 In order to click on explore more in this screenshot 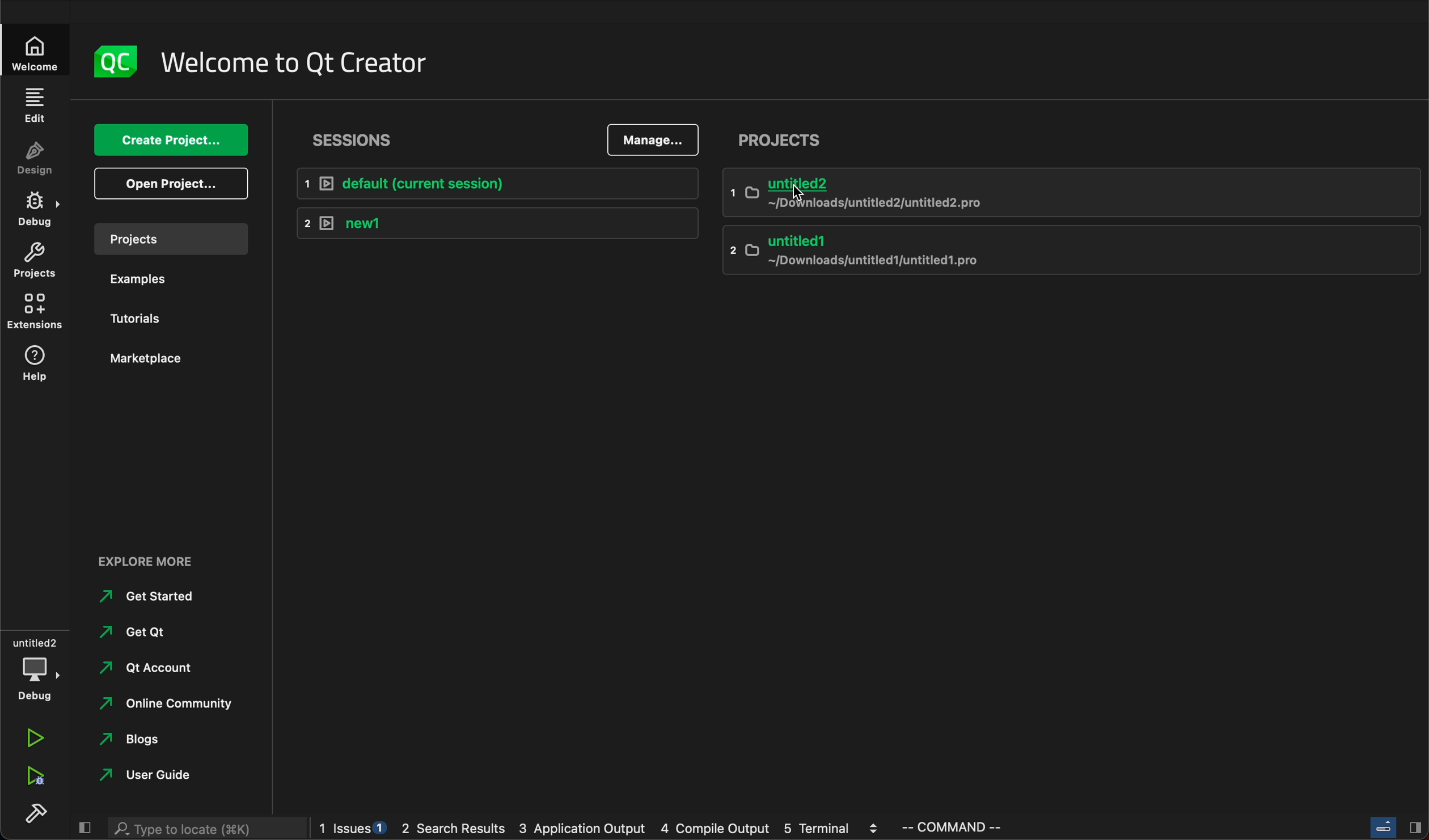, I will do `click(149, 565)`.